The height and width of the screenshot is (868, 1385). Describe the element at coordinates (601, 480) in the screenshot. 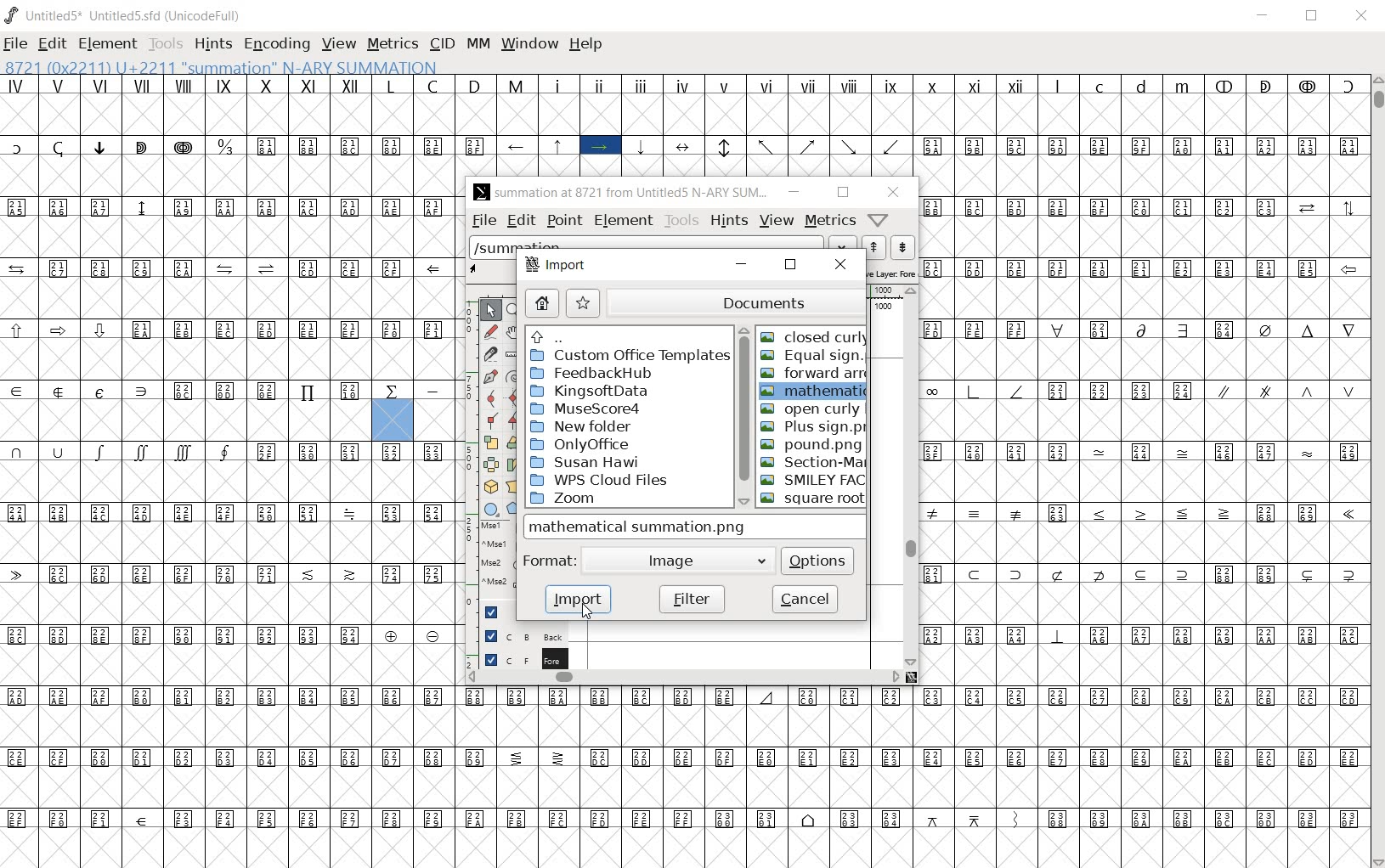

I see `WPS Cloud Files` at that location.